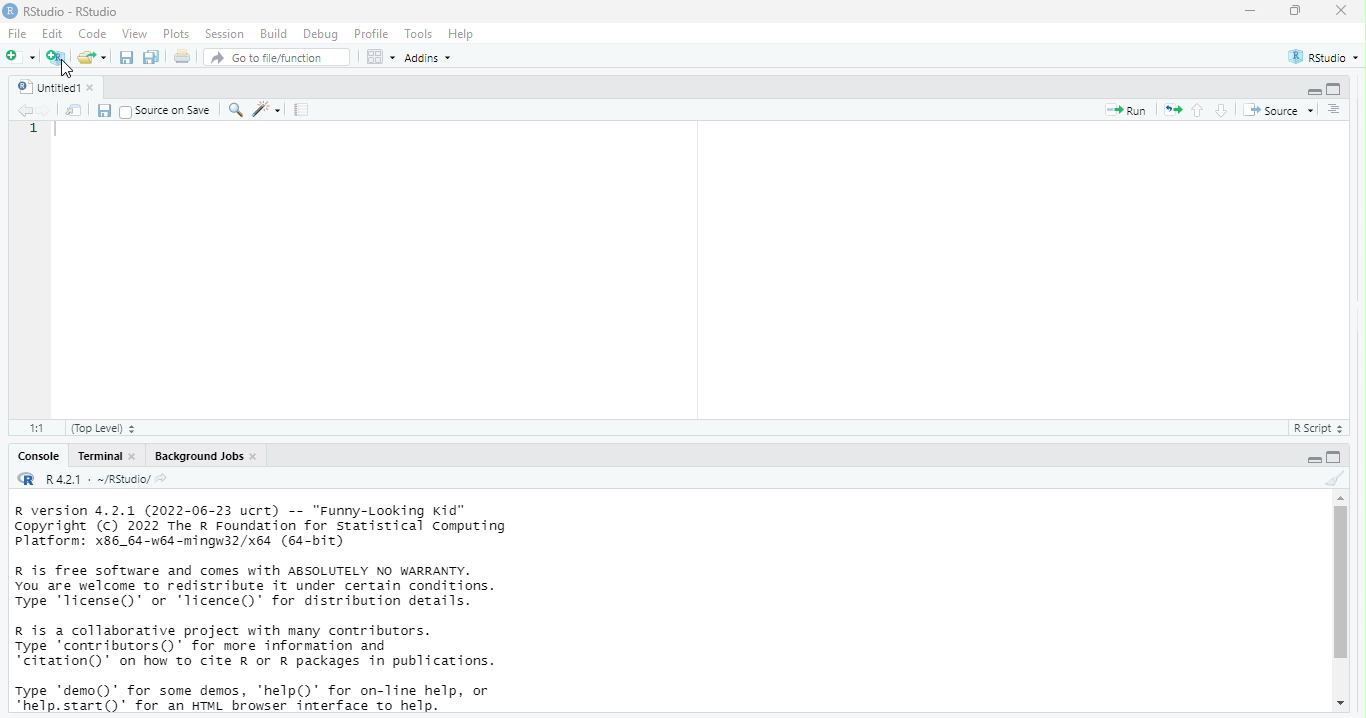 This screenshot has width=1366, height=718. Describe the element at coordinates (32, 456) in the screenshot. I see `console` at that location.